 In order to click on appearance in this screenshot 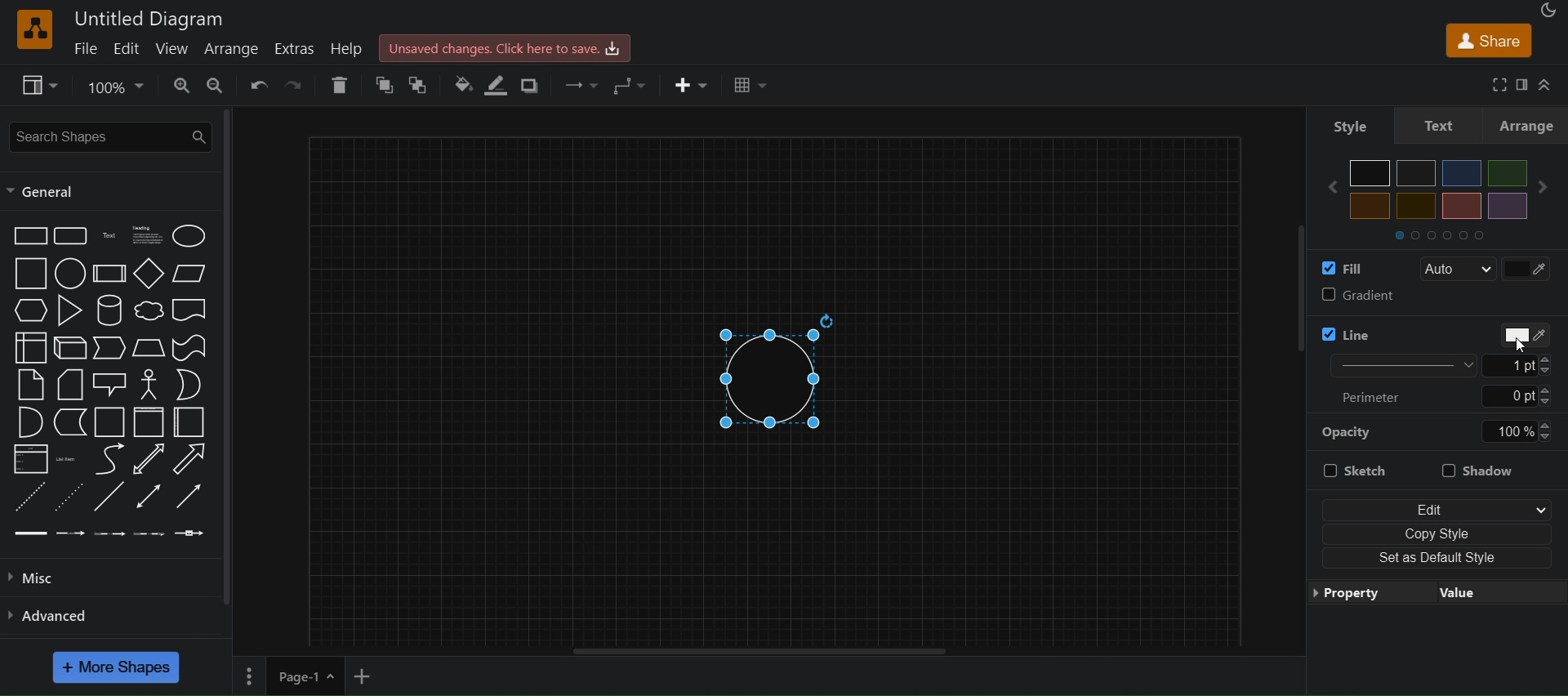, I will do `click(1547, 10)`.